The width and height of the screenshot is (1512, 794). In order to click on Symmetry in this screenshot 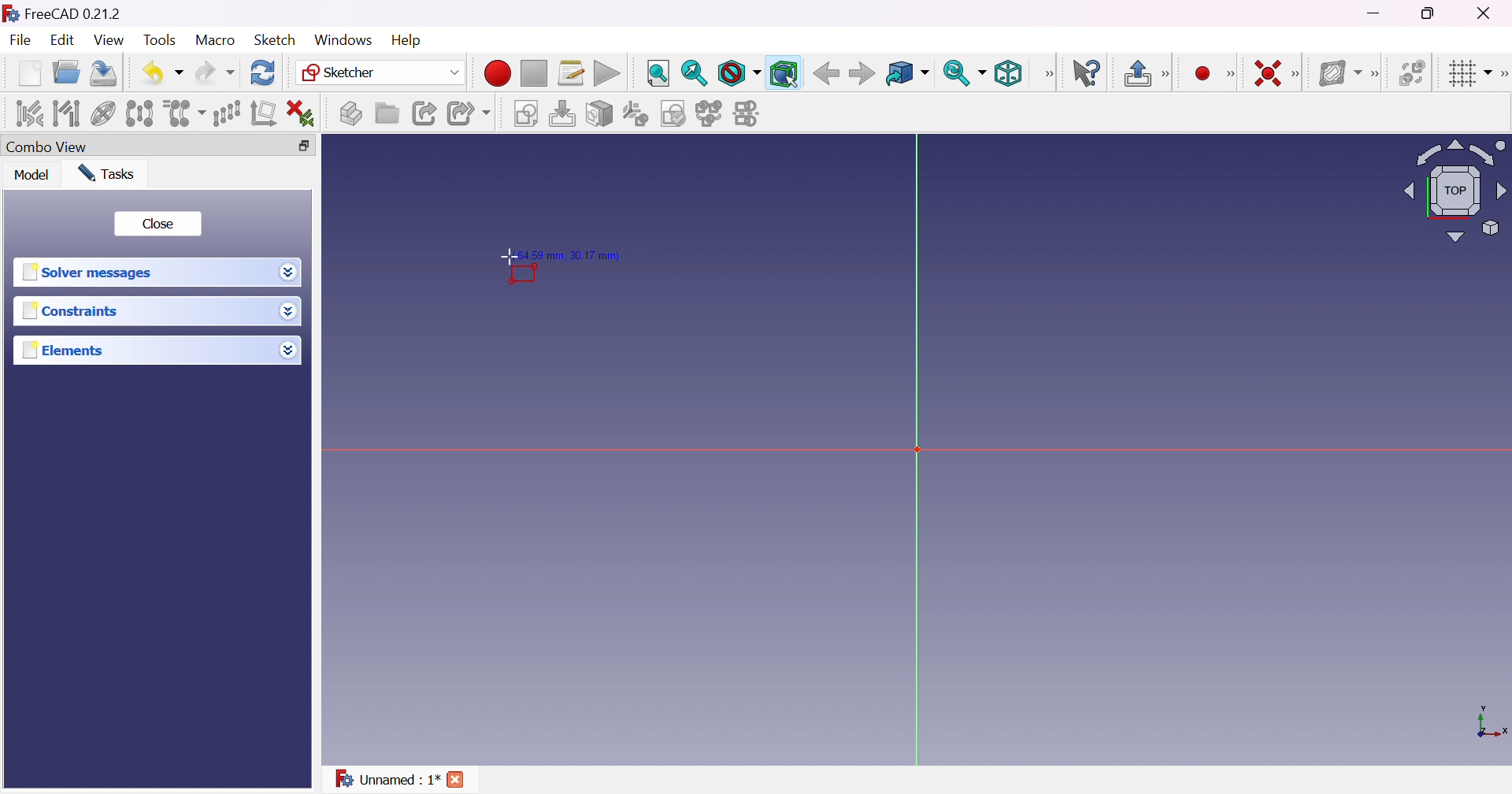, I will do `click(139, 113)`.